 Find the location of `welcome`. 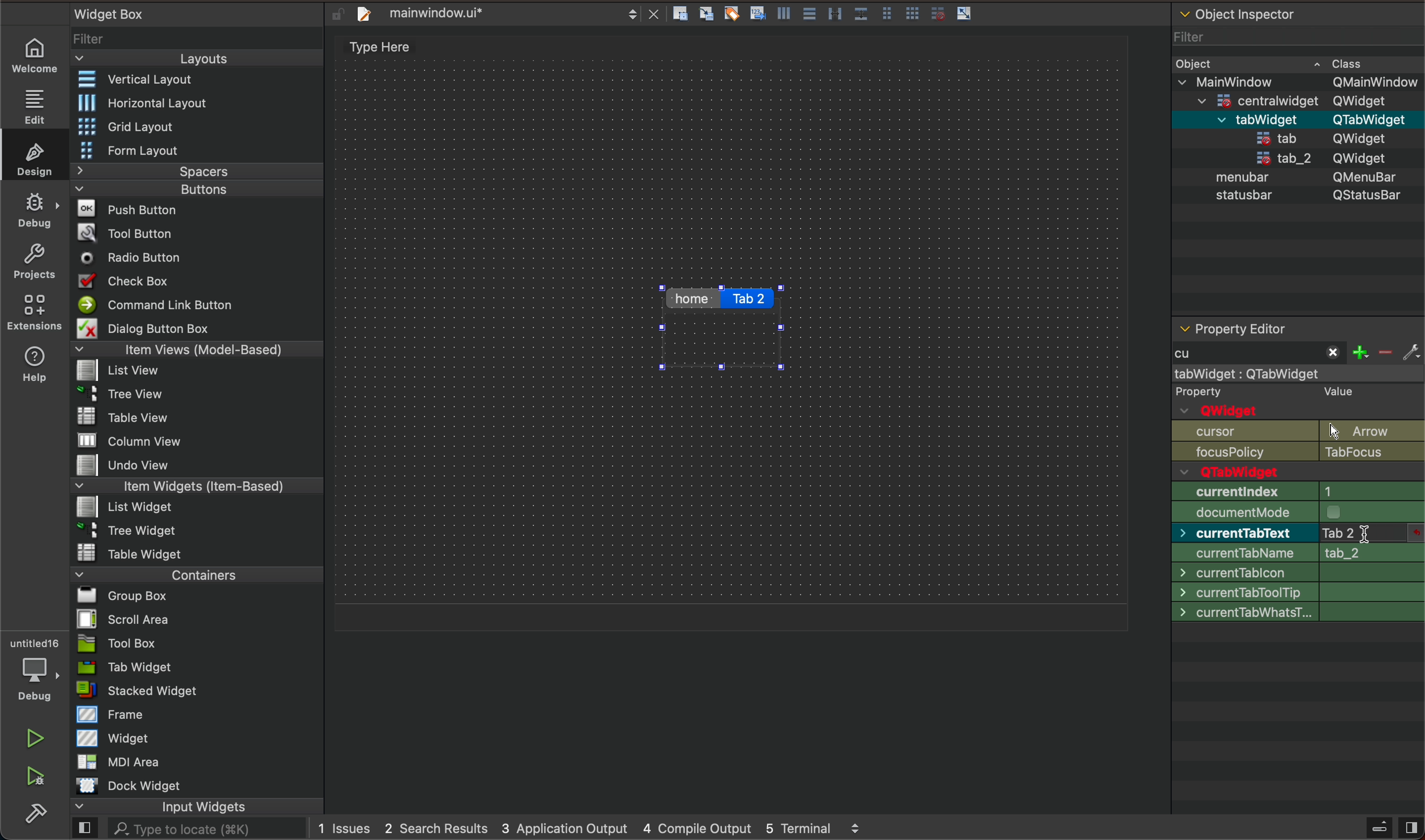

welcome is located at coordinates (32, 56).